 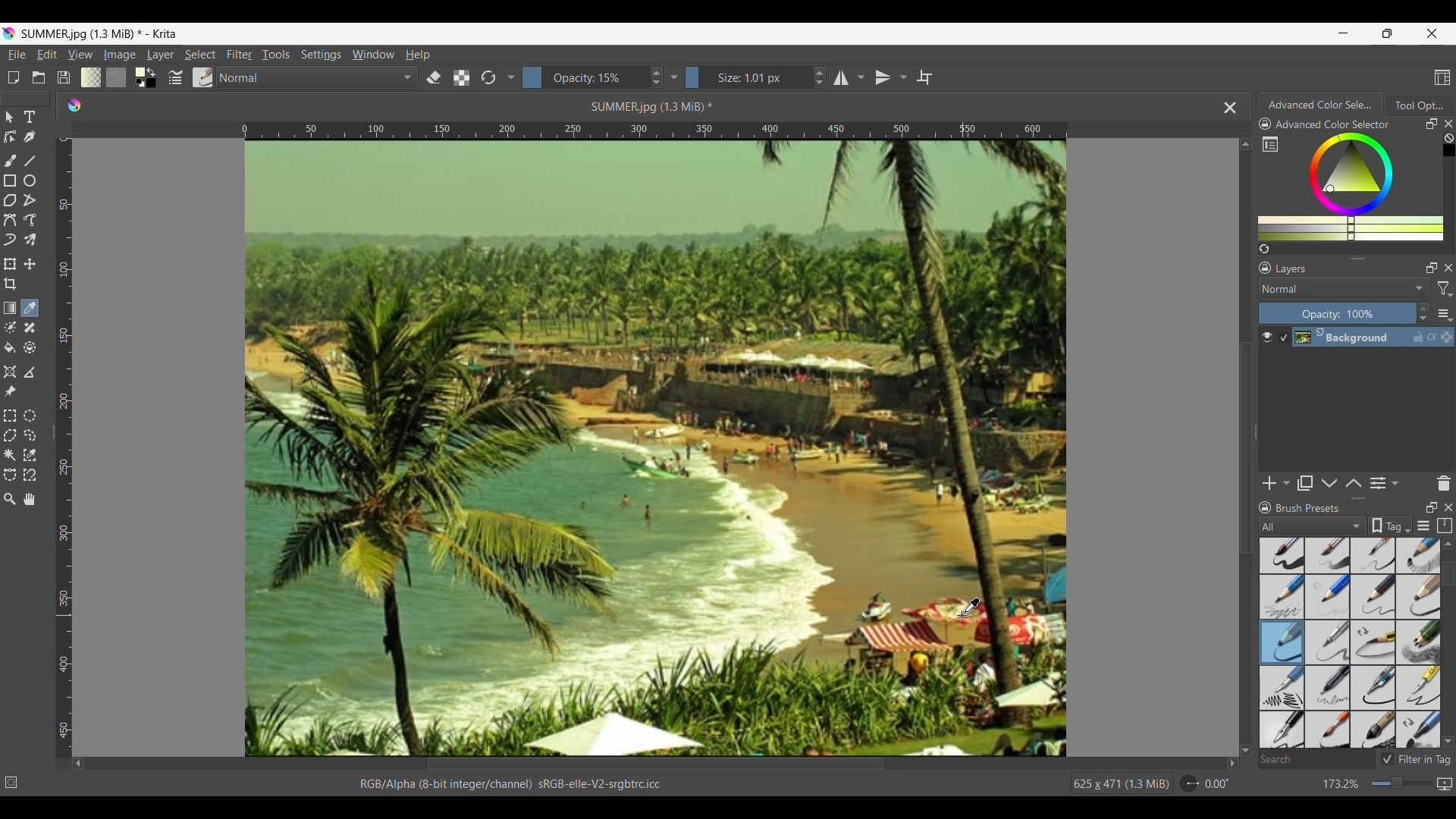 I want to click on Choose brush preset, so click(x=203, y=77).